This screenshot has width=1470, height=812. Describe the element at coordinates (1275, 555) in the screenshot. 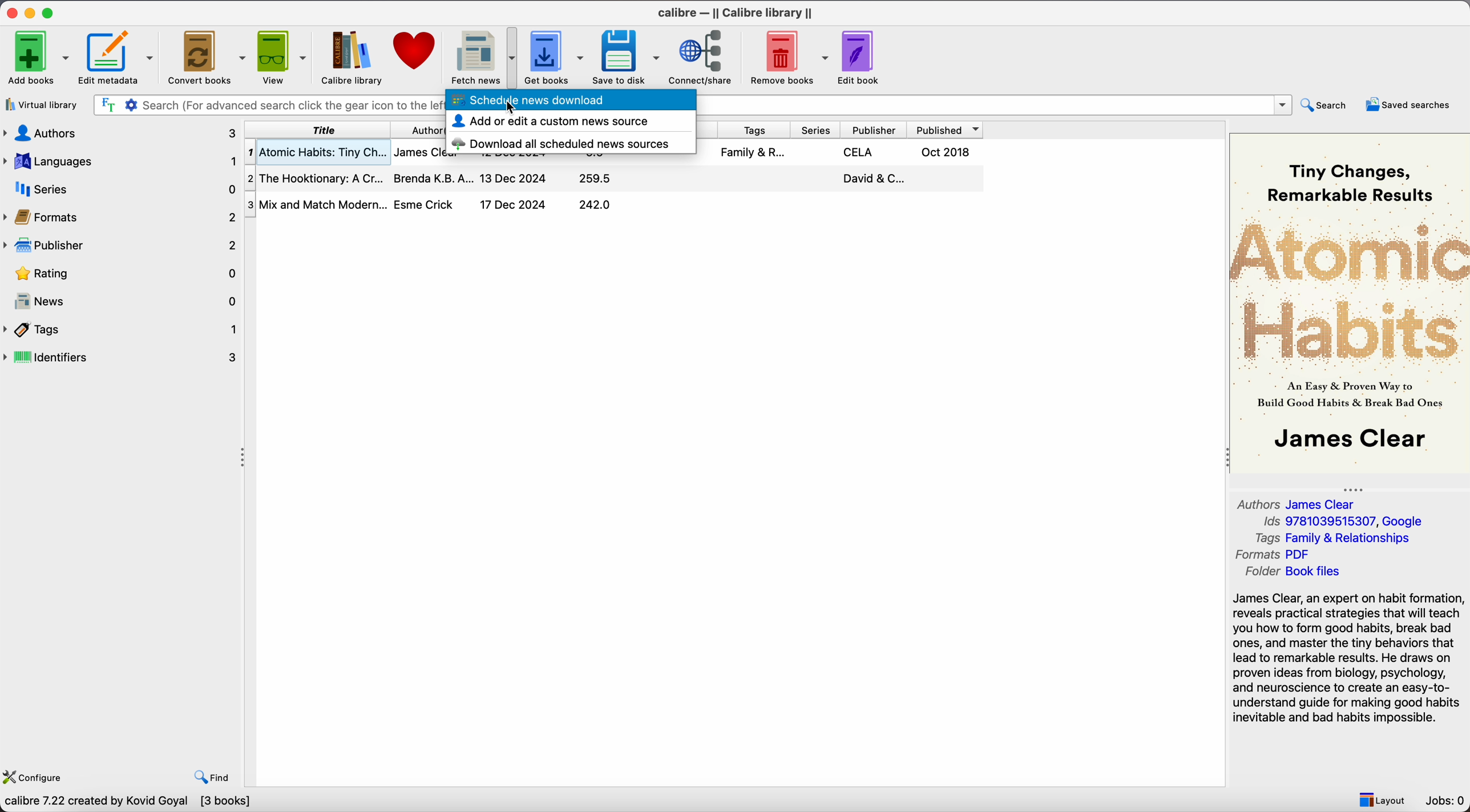

I see `Formats Pdf` at that location.